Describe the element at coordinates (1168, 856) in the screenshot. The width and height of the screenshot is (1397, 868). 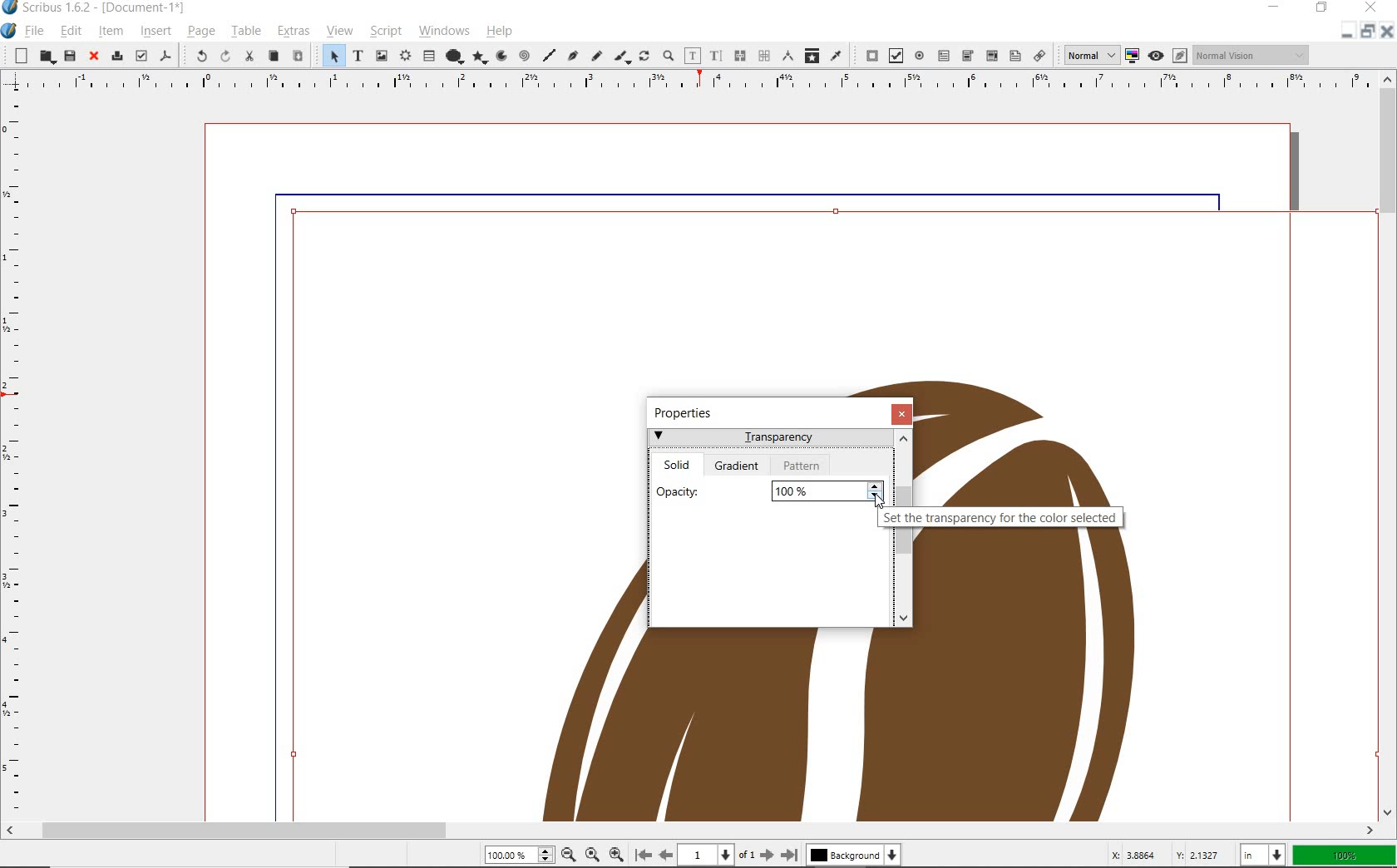
I see `cursor coordinates` at that location.